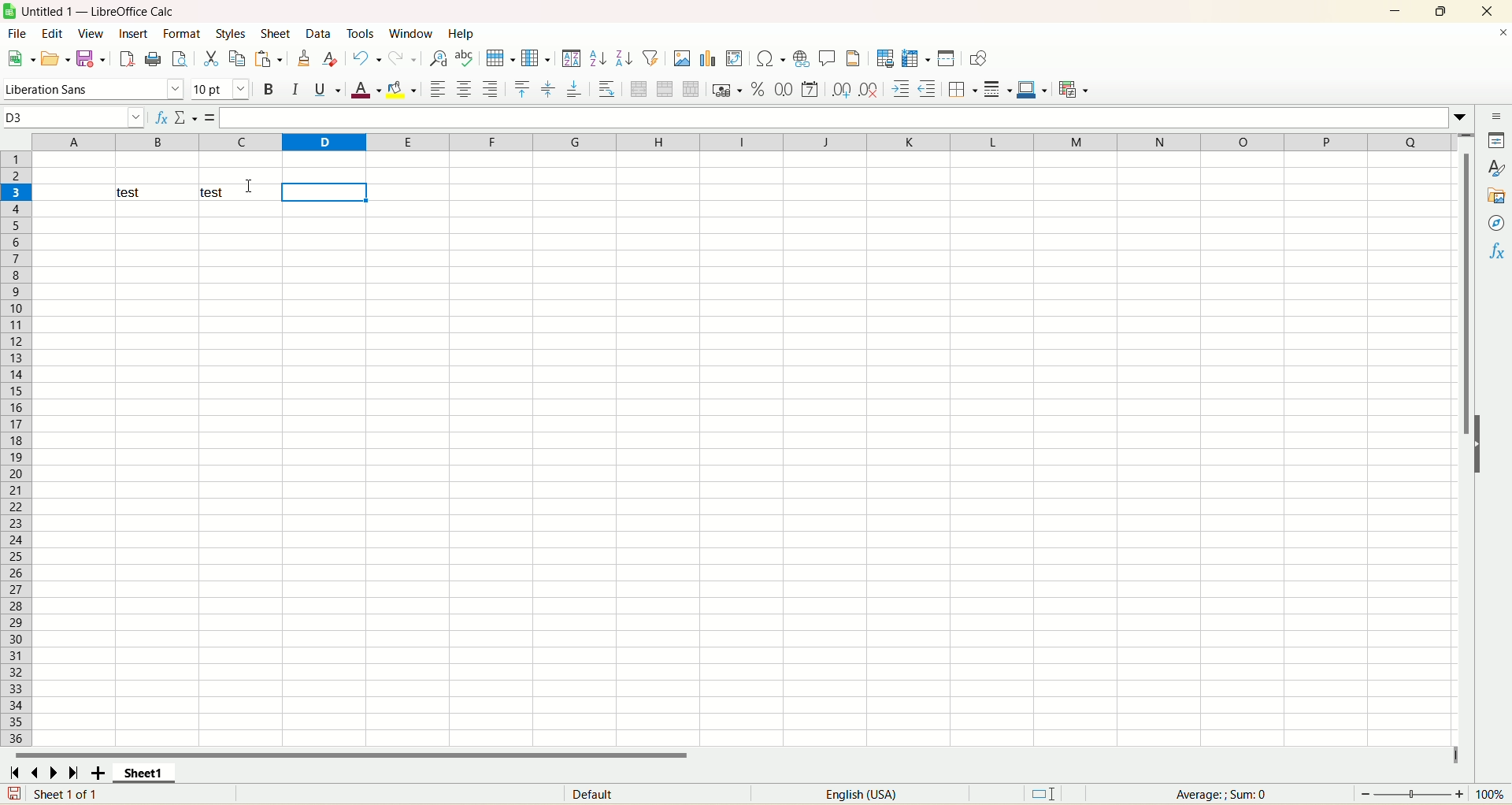 Image resolution: width=1512 pixels, height=805 pixels. Describe the element at coordinates (181, 33) in the screenshot. I see `format` at that location.